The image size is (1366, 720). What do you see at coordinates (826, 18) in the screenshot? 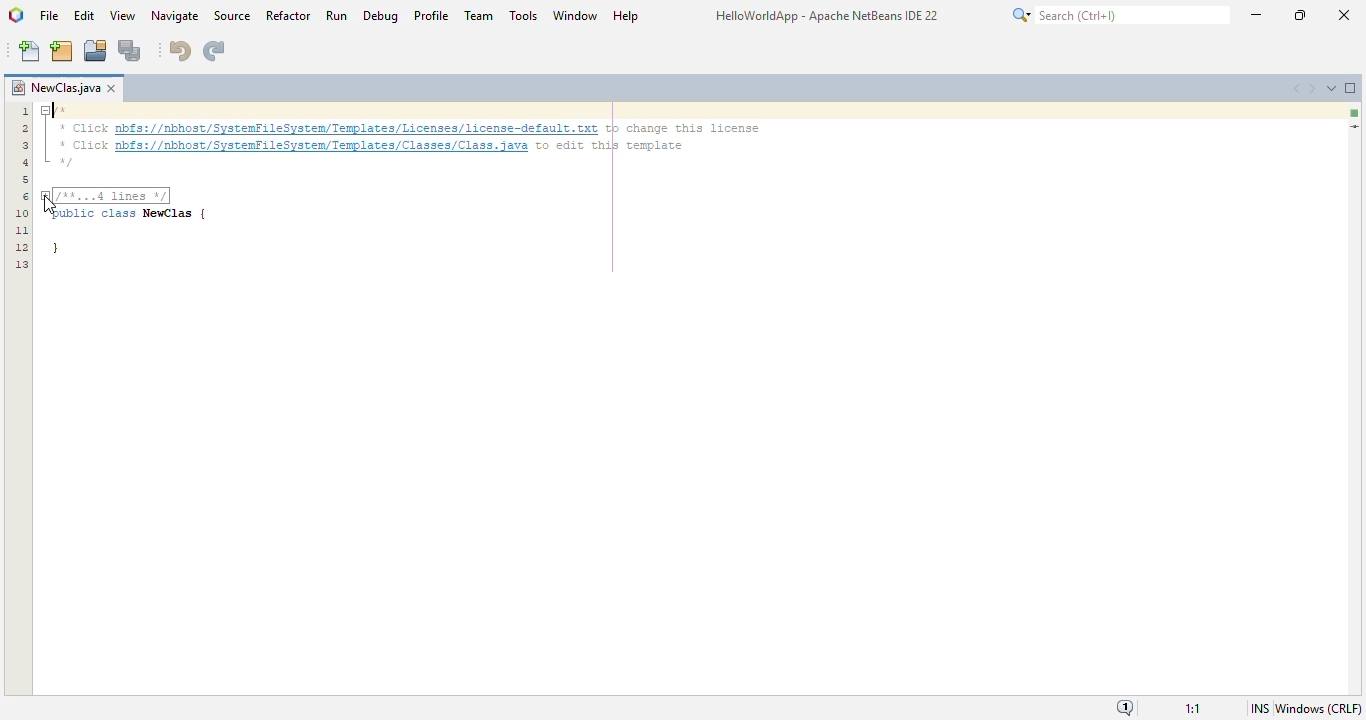
I see `HelloWorldApp - Apache NetBeans IDE 22` at bounding box center [826, 18].